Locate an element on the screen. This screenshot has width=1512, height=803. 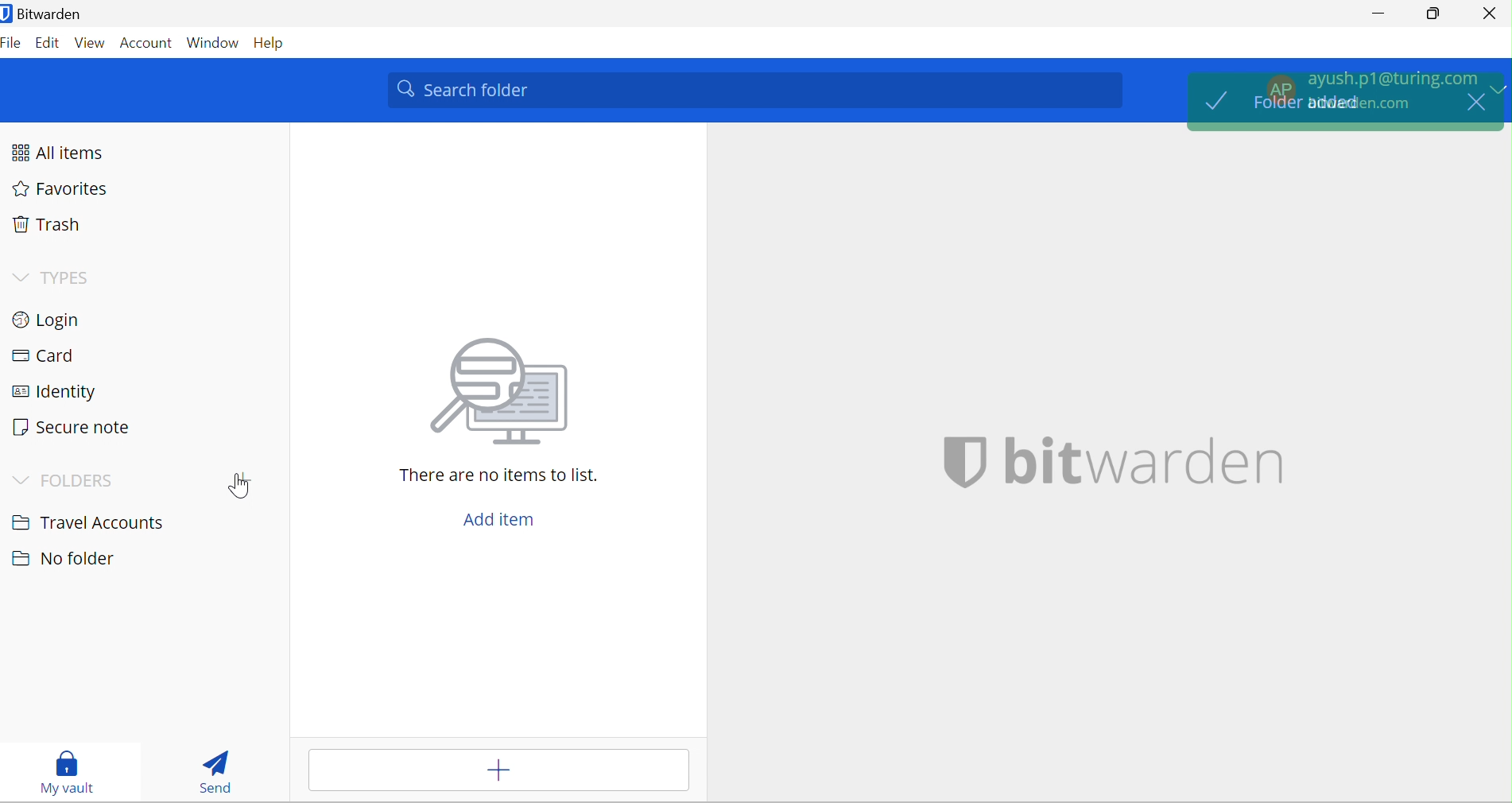
Restore Down is located at coordinates (1436, 13).